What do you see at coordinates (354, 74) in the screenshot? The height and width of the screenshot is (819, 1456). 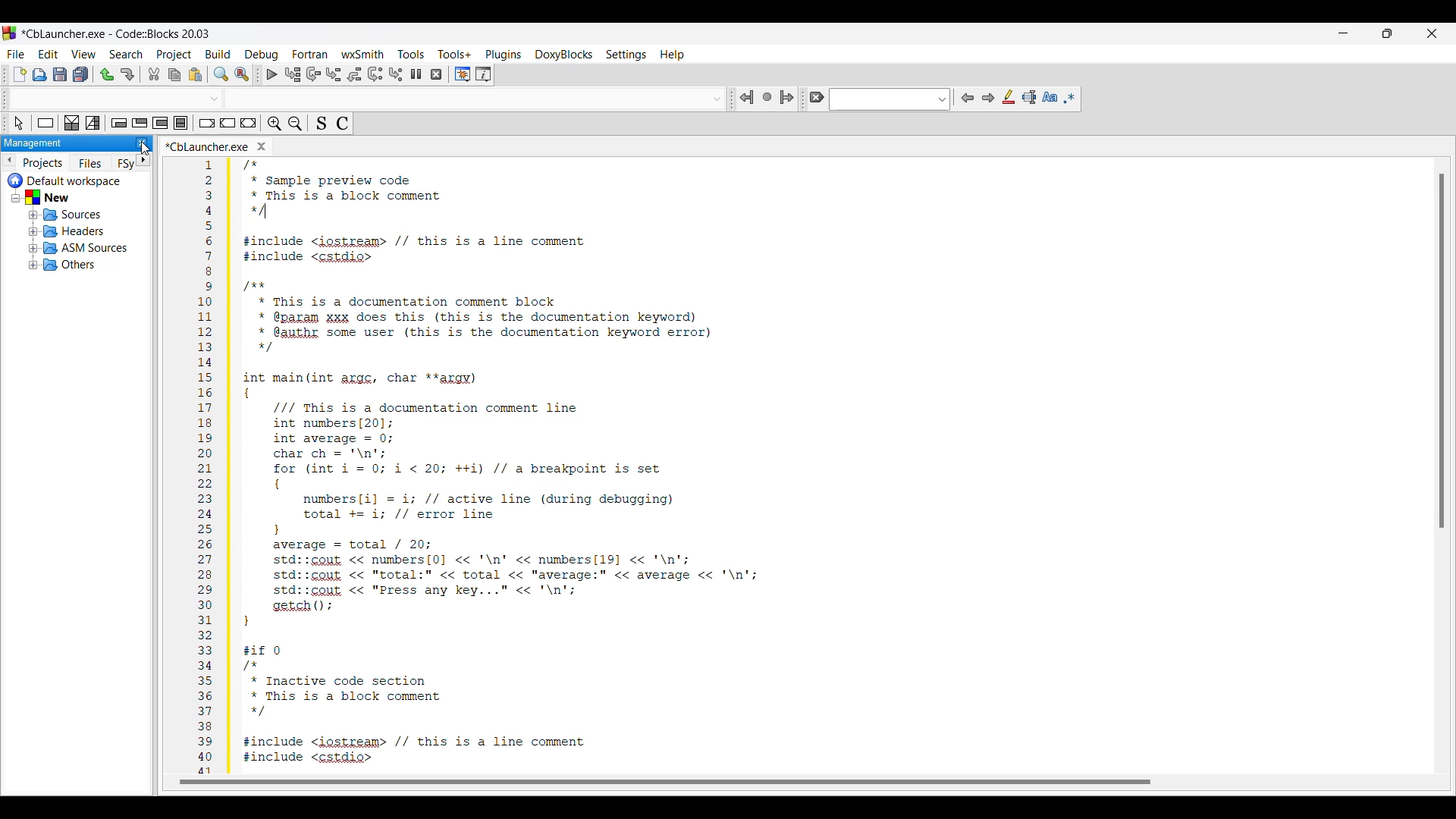 I see `Step out` at bounding box center [354, 74].